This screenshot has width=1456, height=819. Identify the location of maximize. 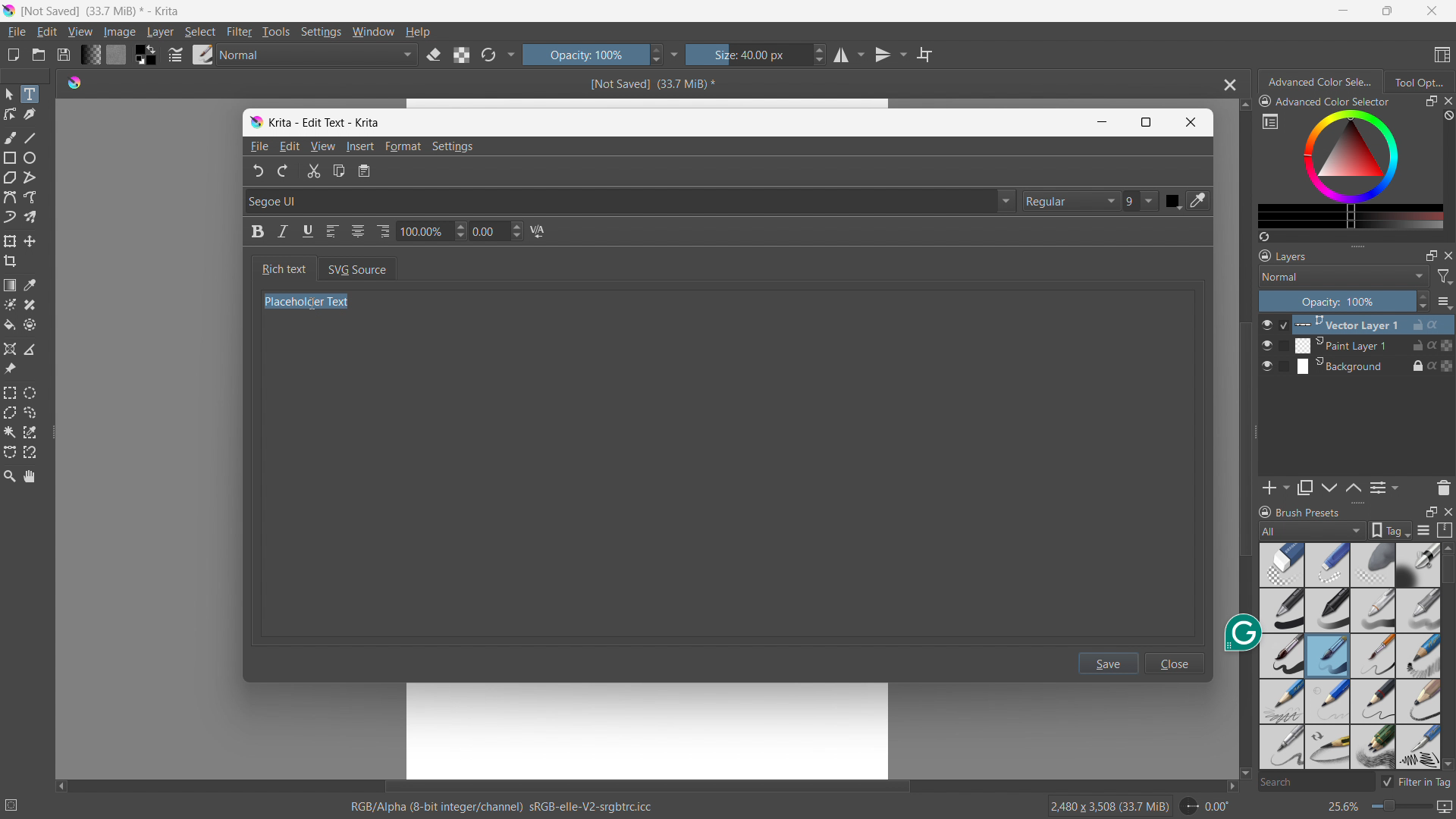
(1430, 102).